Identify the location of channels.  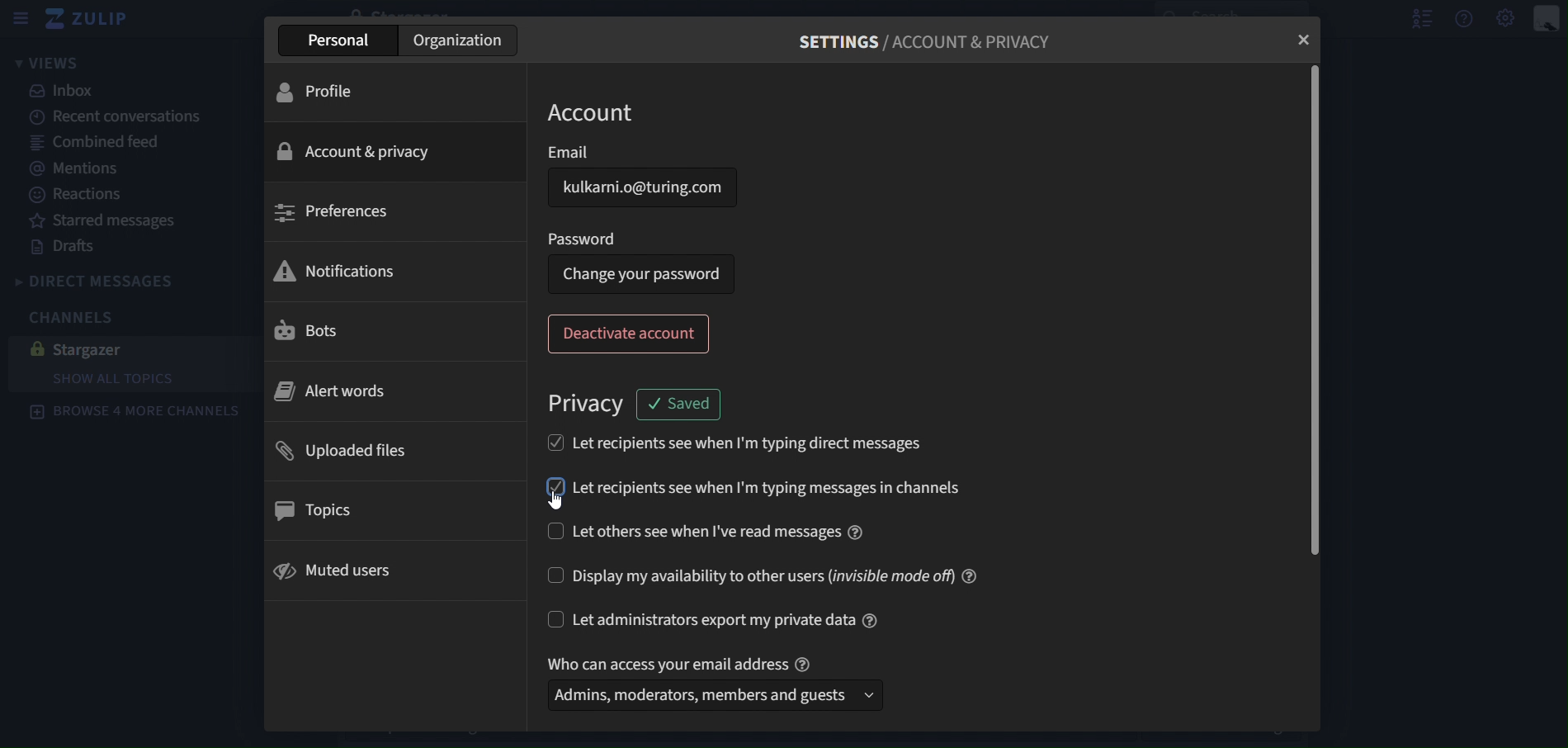
(73, 317).